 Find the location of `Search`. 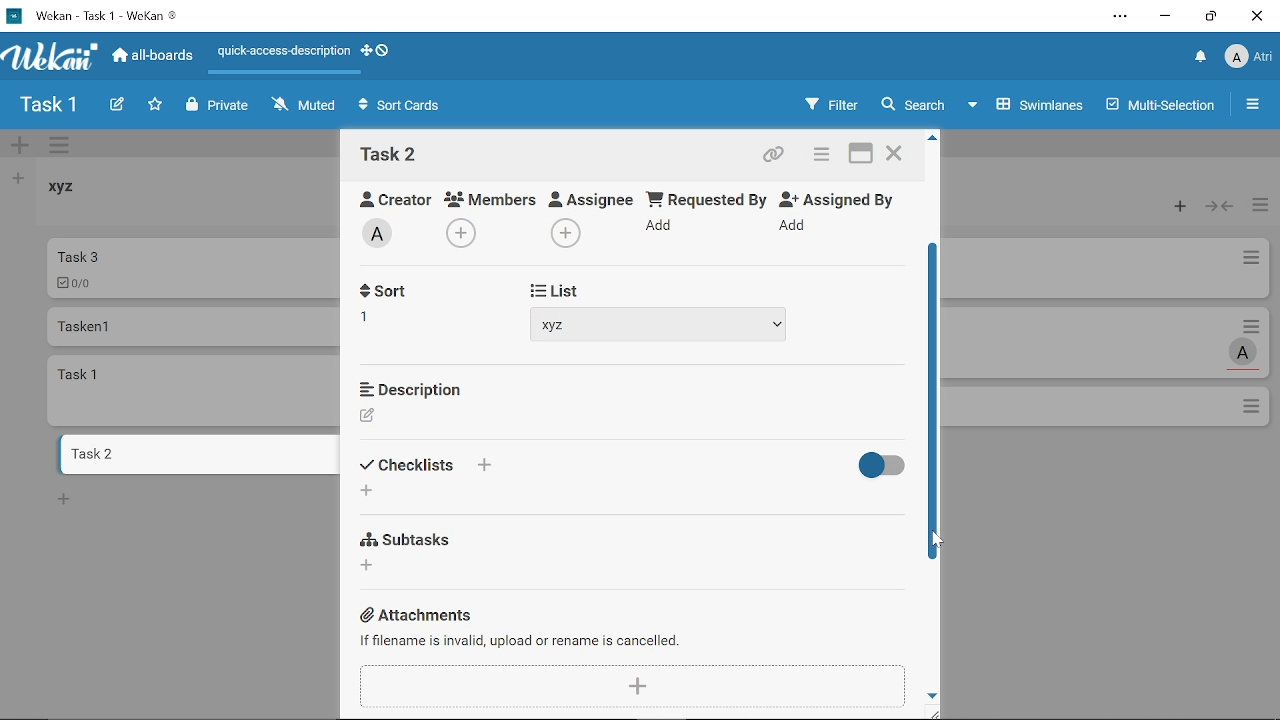

Search is located at coordinates (912, 105).